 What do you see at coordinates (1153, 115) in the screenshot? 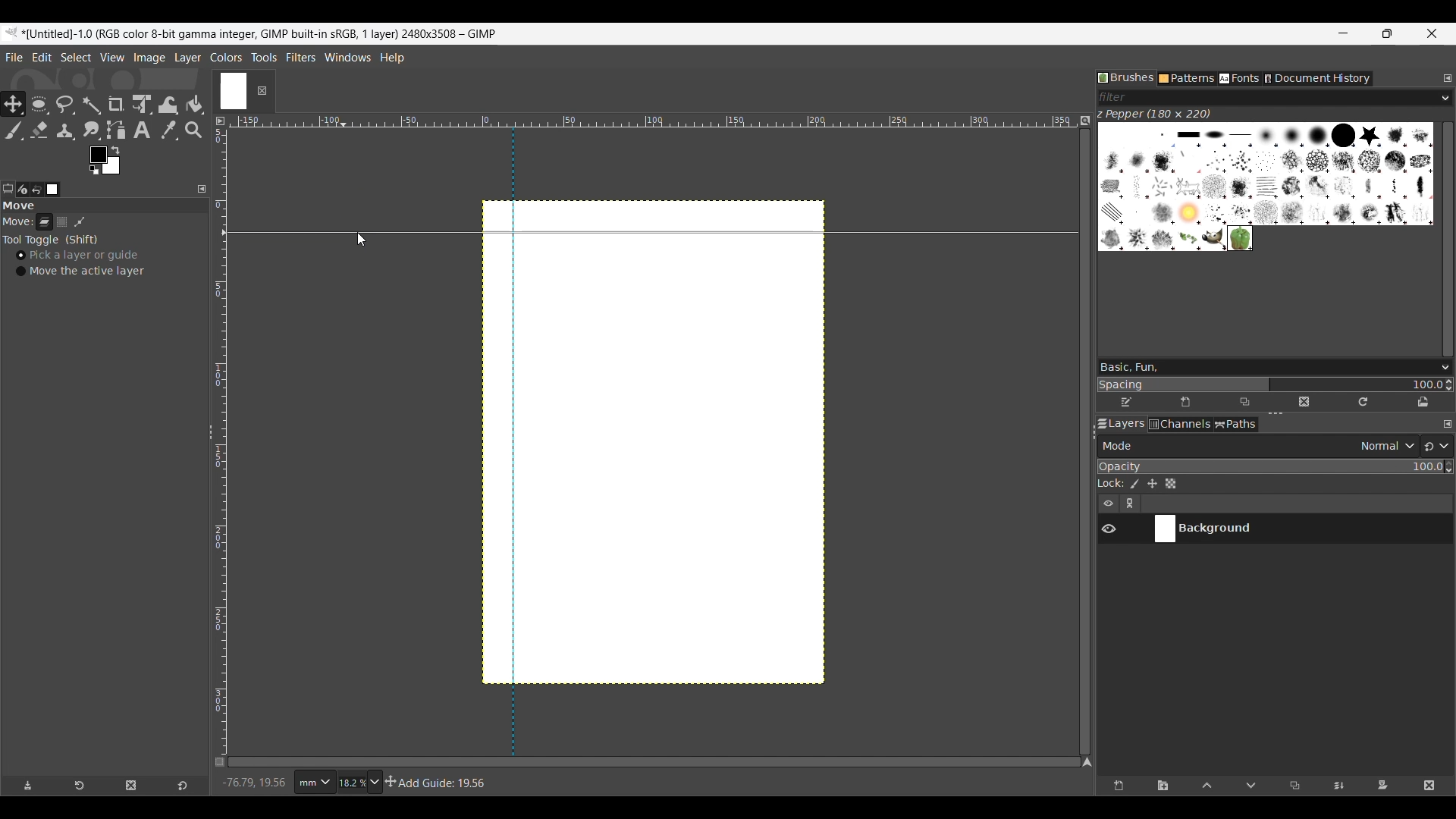
I see `Name of current brush and its dimension` at bounding box center [1153, 115].